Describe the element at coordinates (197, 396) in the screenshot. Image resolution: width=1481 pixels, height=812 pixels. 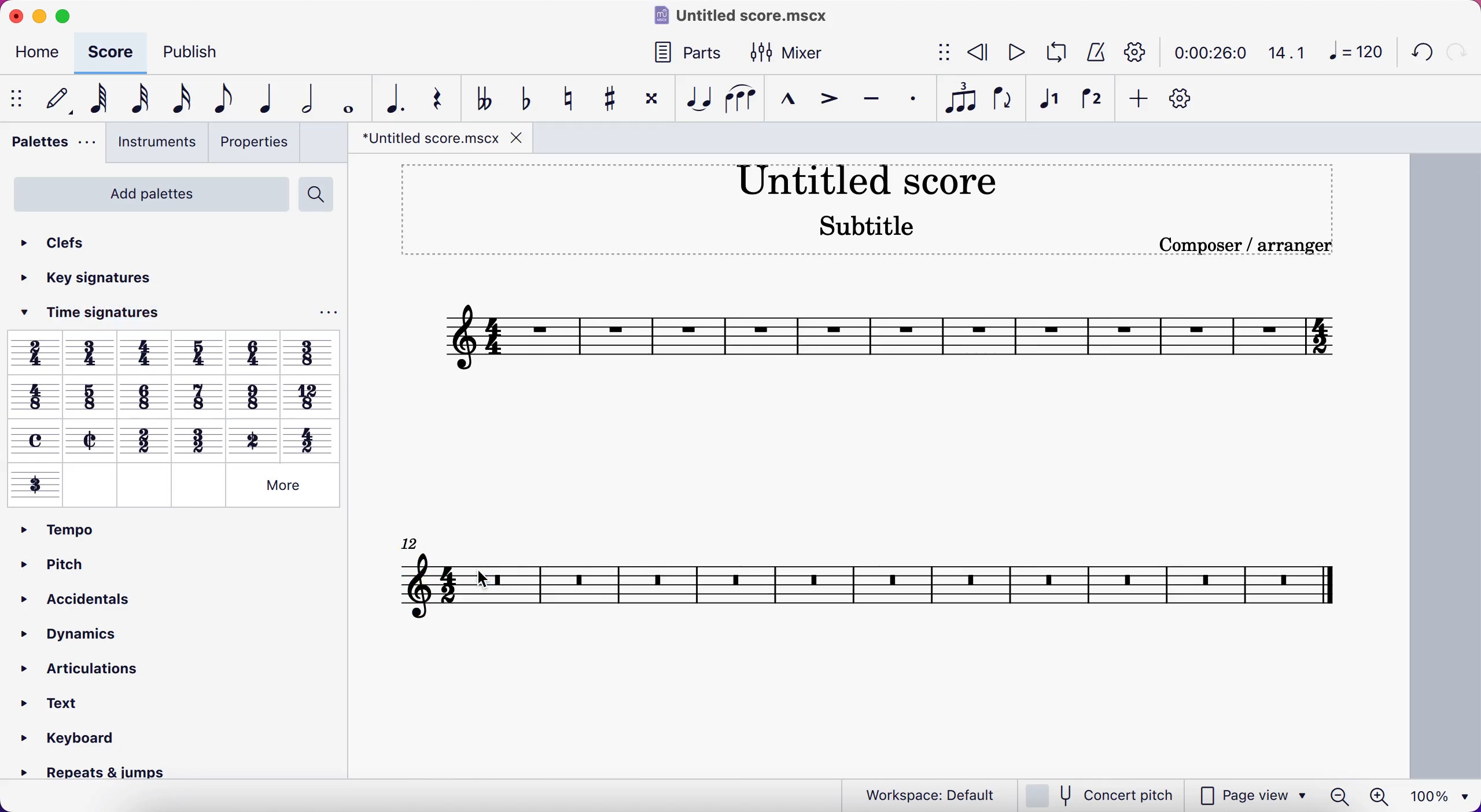
I see `` at that location.